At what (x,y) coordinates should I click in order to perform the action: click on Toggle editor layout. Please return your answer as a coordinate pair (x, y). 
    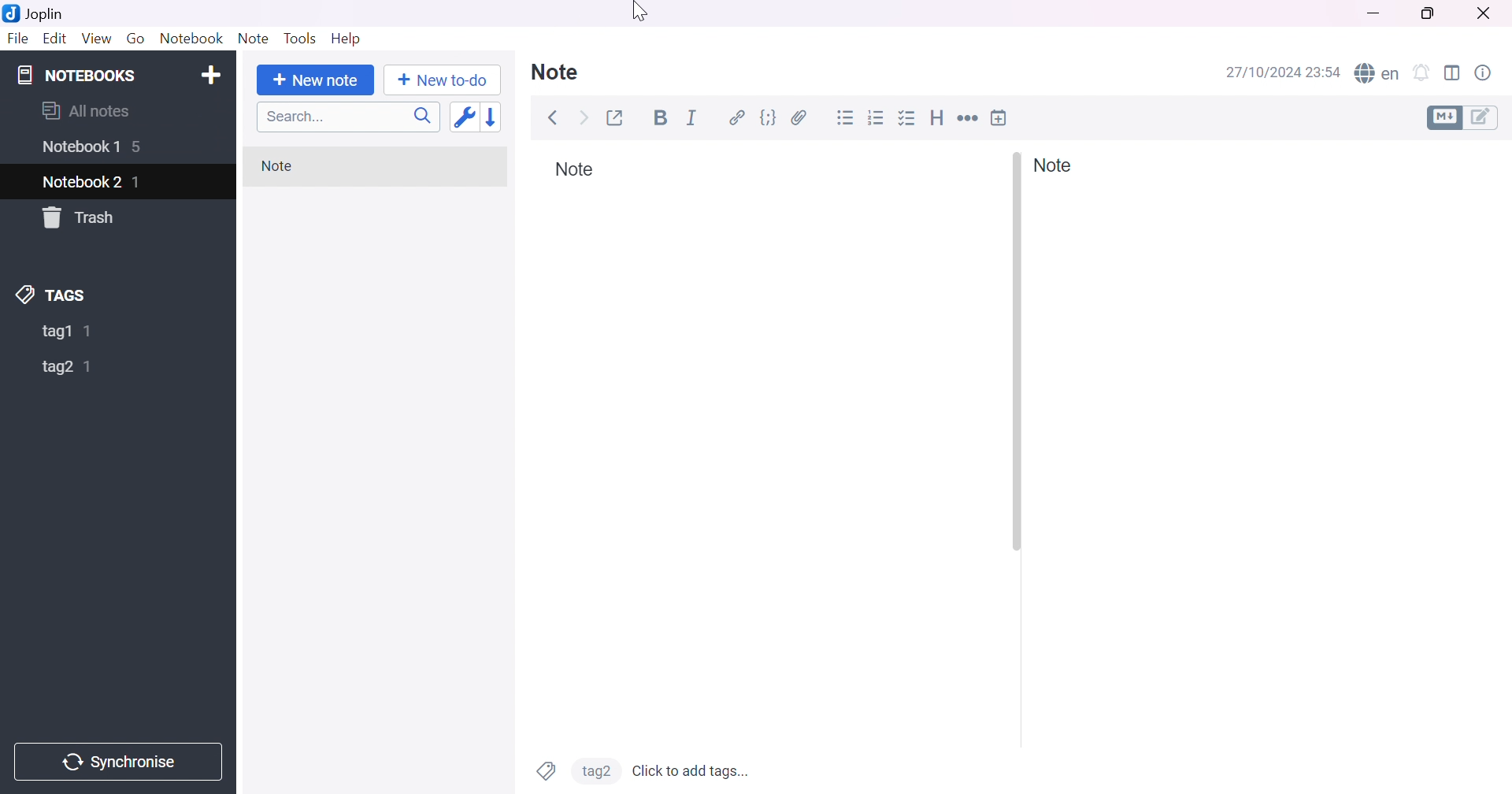
    Looking at the image, I should click on (1455, 74).